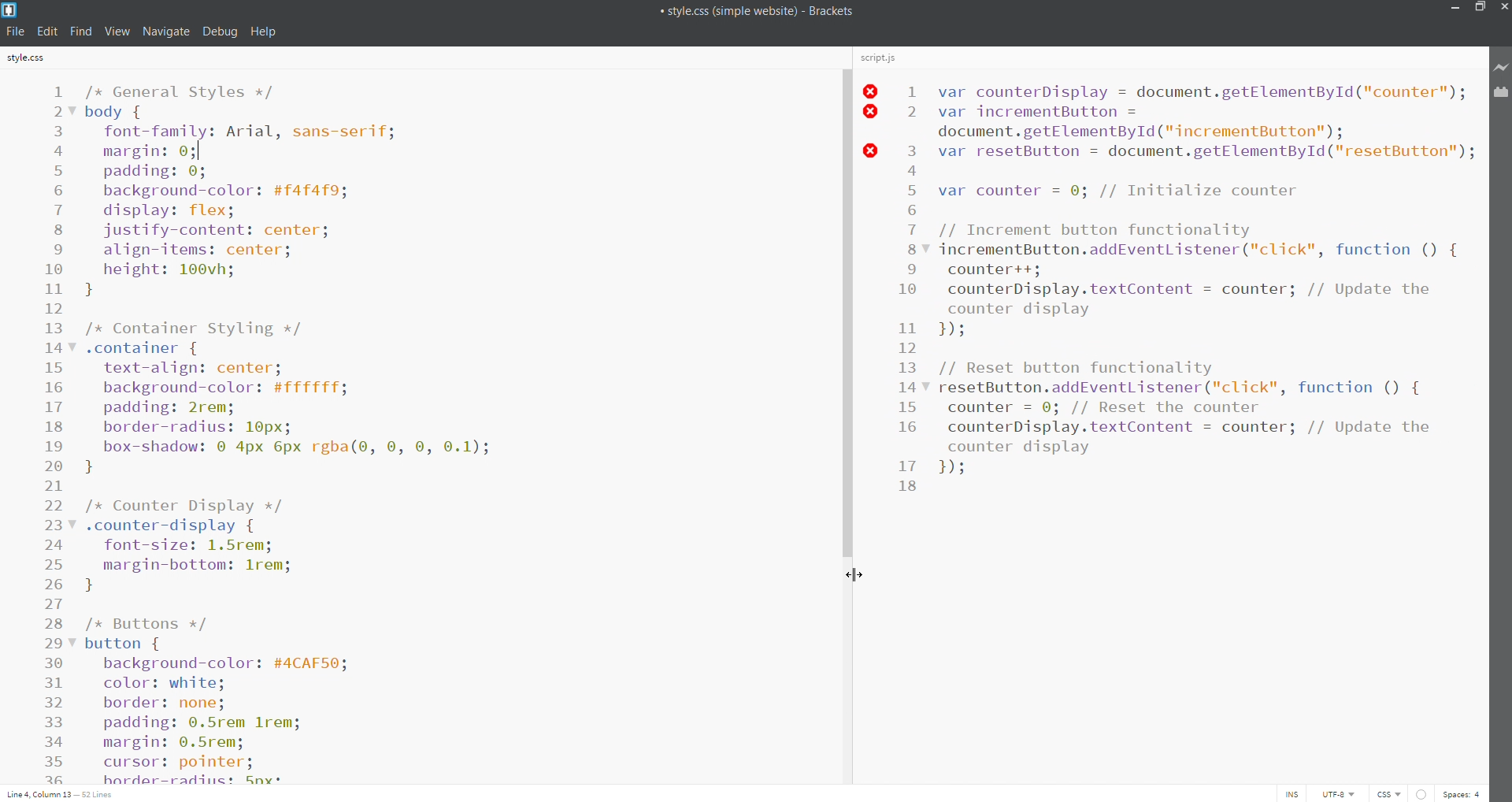  Describe the element at coordinates (1464, 795) in the screenshot. I see `space count` at that location.